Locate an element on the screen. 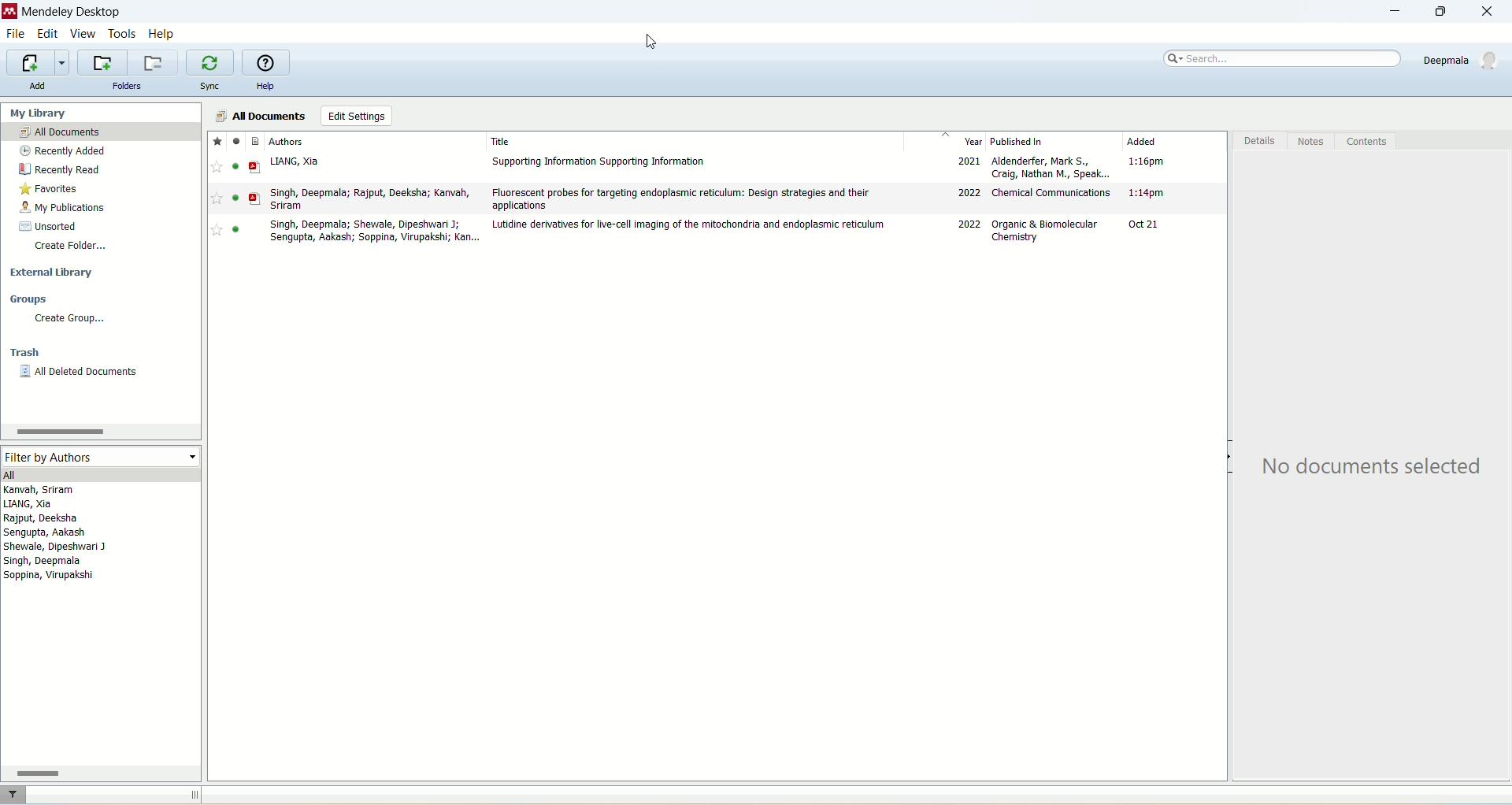 The height and width of the screenshot is (805, 1512). folders is located at coordinates (130, 87).